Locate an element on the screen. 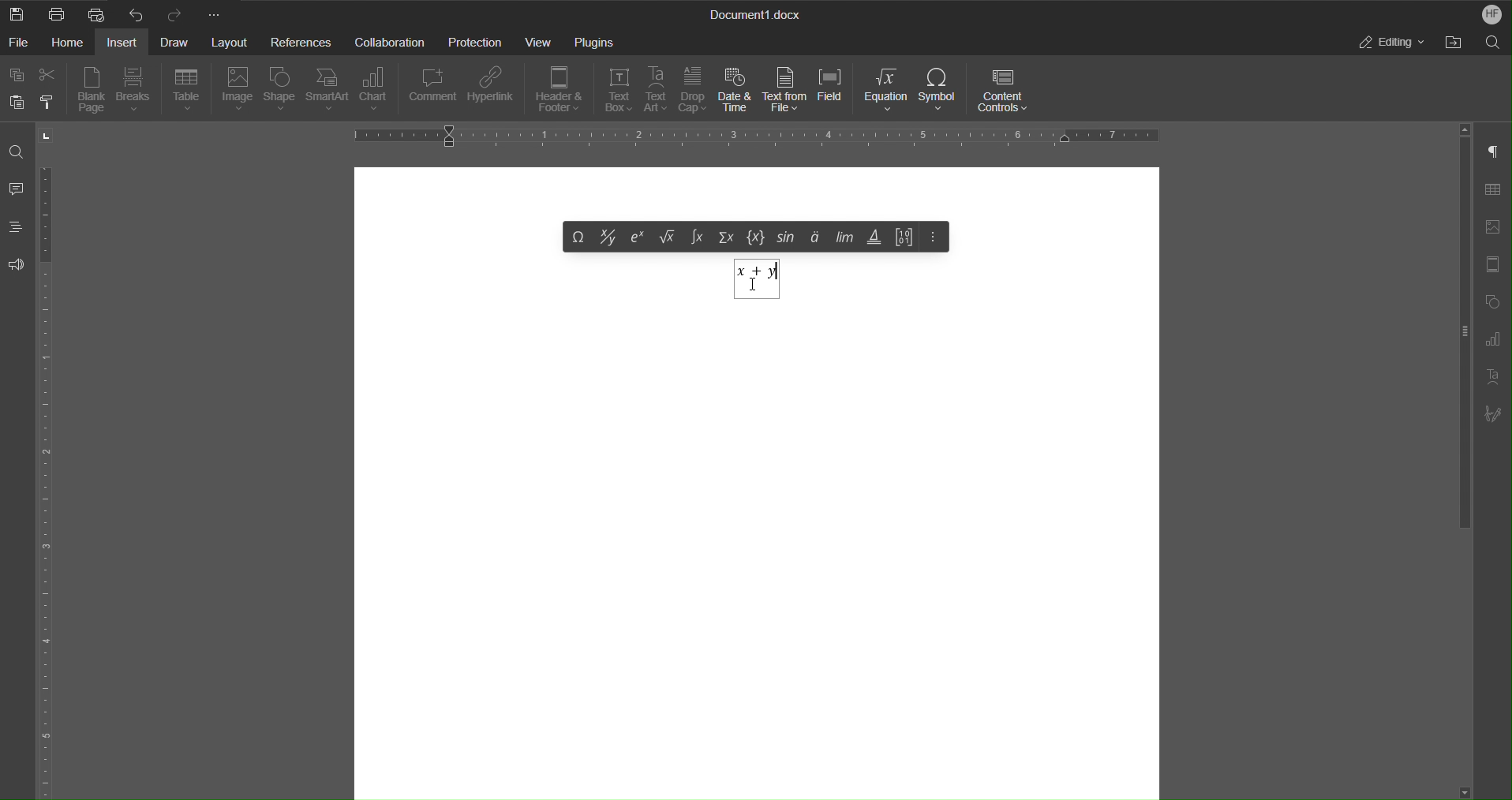 This screenshot has width=1512, height=800. Content Controls is located at coordinates (1002, 91).